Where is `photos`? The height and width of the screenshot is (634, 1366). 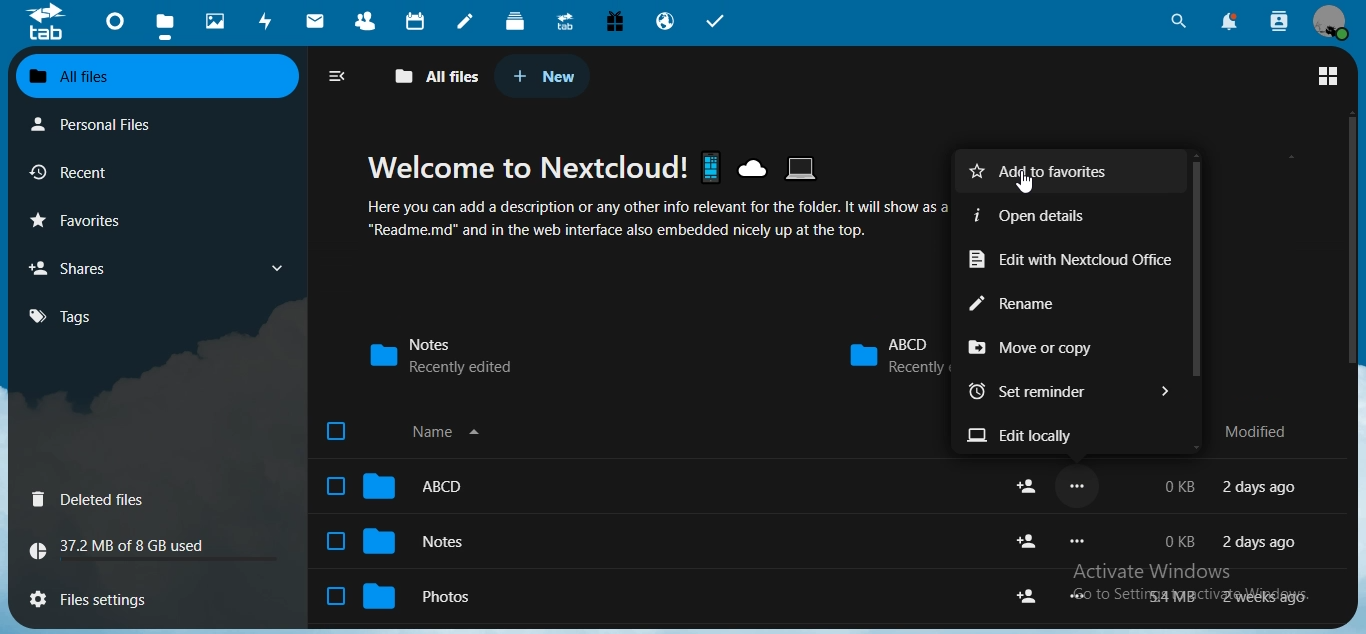 photos is located at coordinates (219, 20).